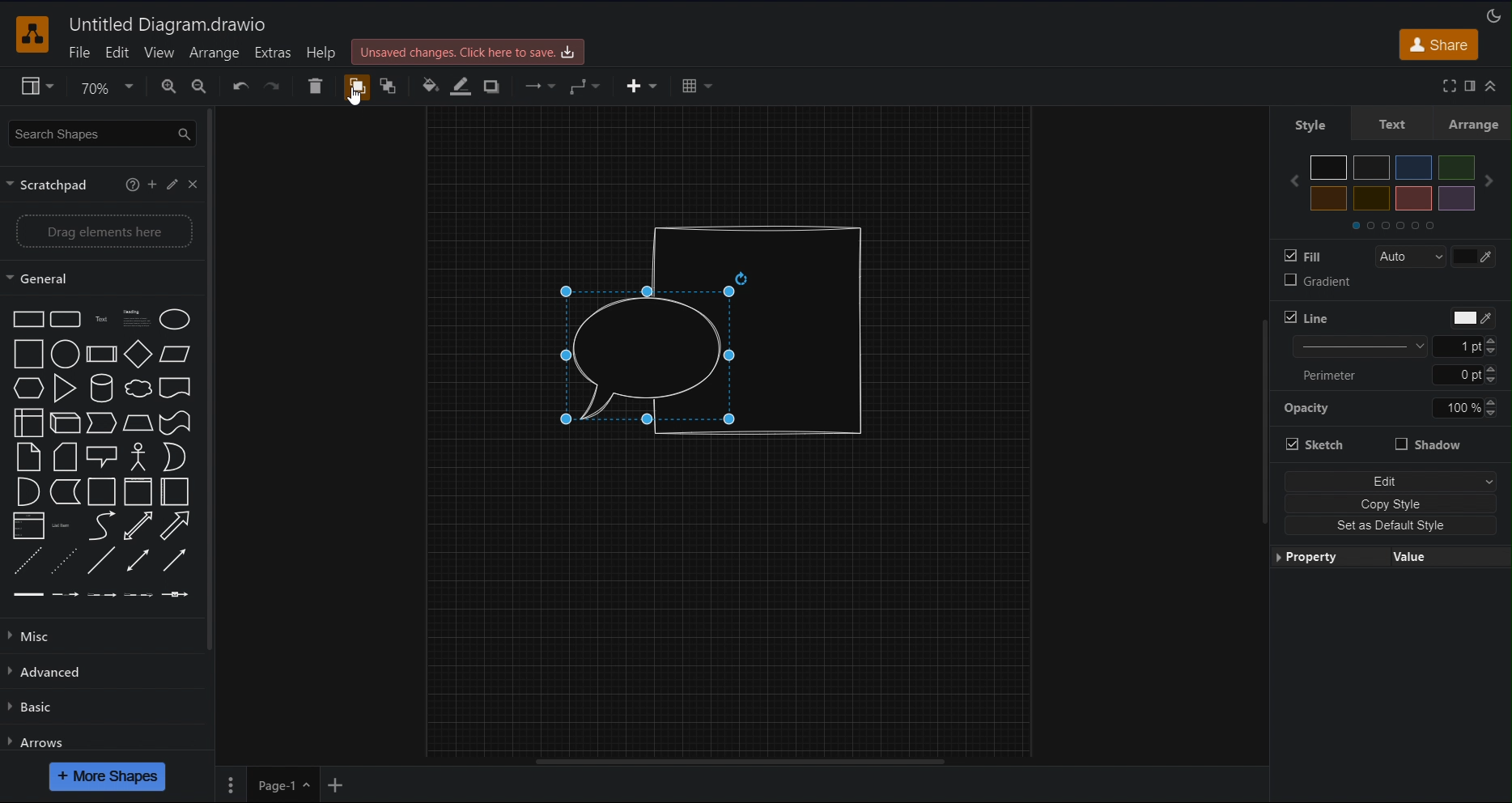  What do you see at coordinates (102, 491) in the screenshot?
I see `Container` at bounding box center [102, 491].